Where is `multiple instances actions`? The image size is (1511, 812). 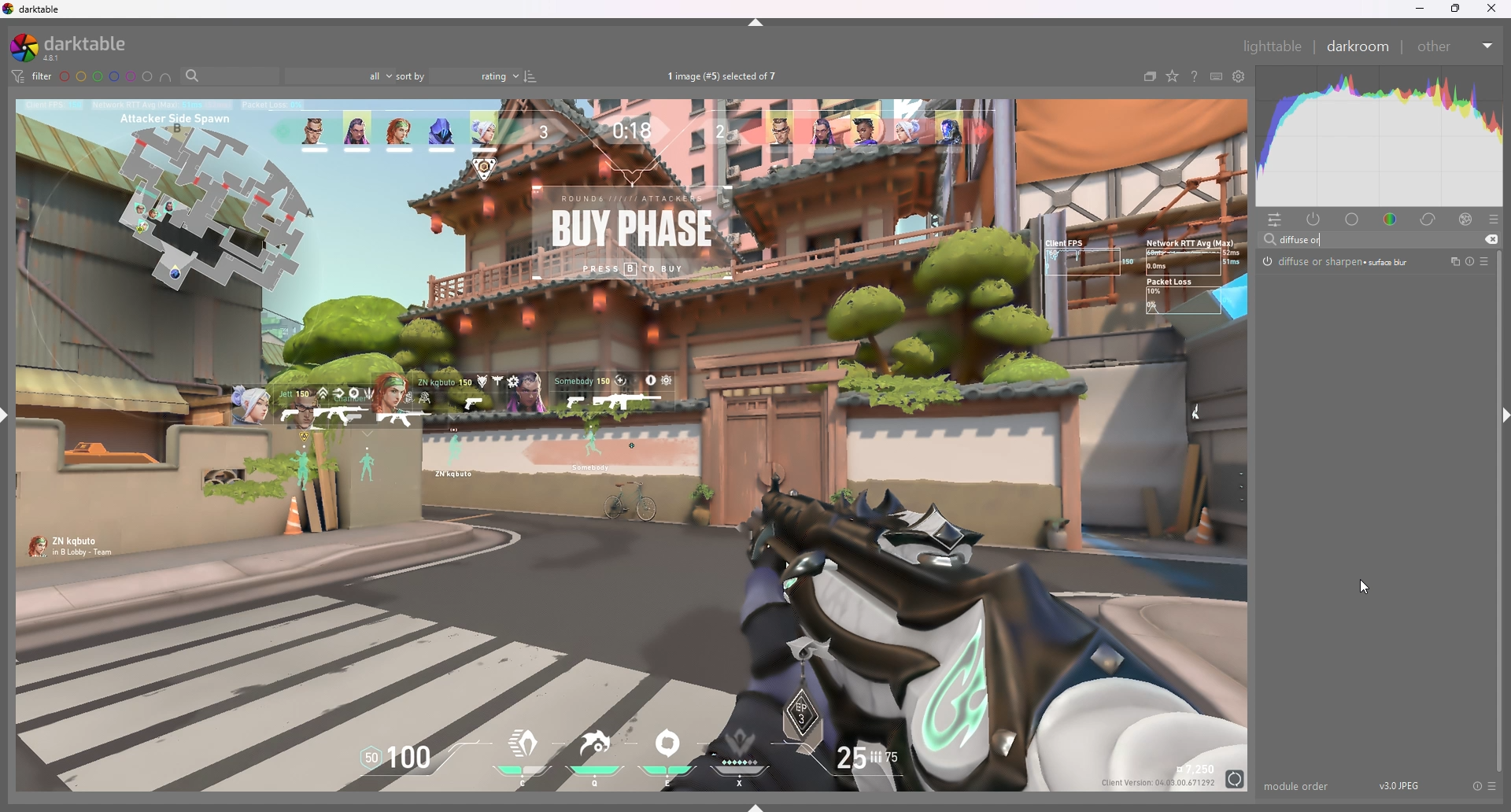 multiple instances actions is located at coordinates (1451, 262).